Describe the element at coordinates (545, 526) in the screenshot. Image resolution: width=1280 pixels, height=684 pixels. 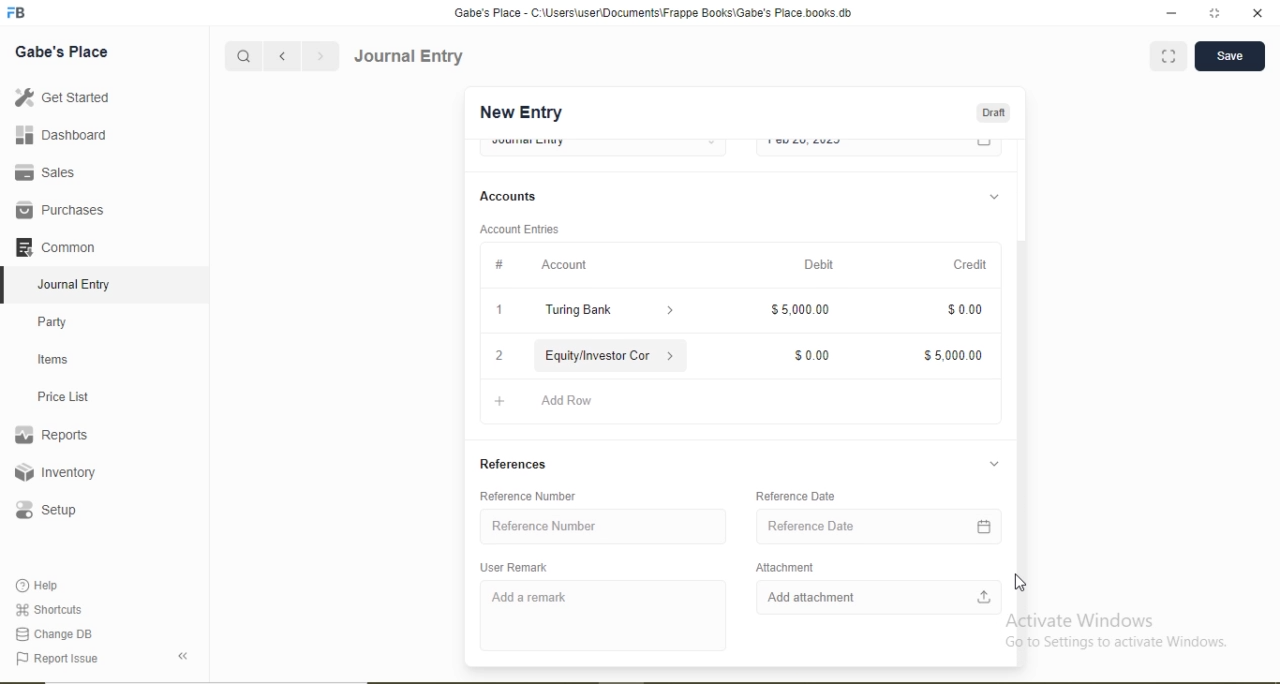
I see `Reference Number` at that location.